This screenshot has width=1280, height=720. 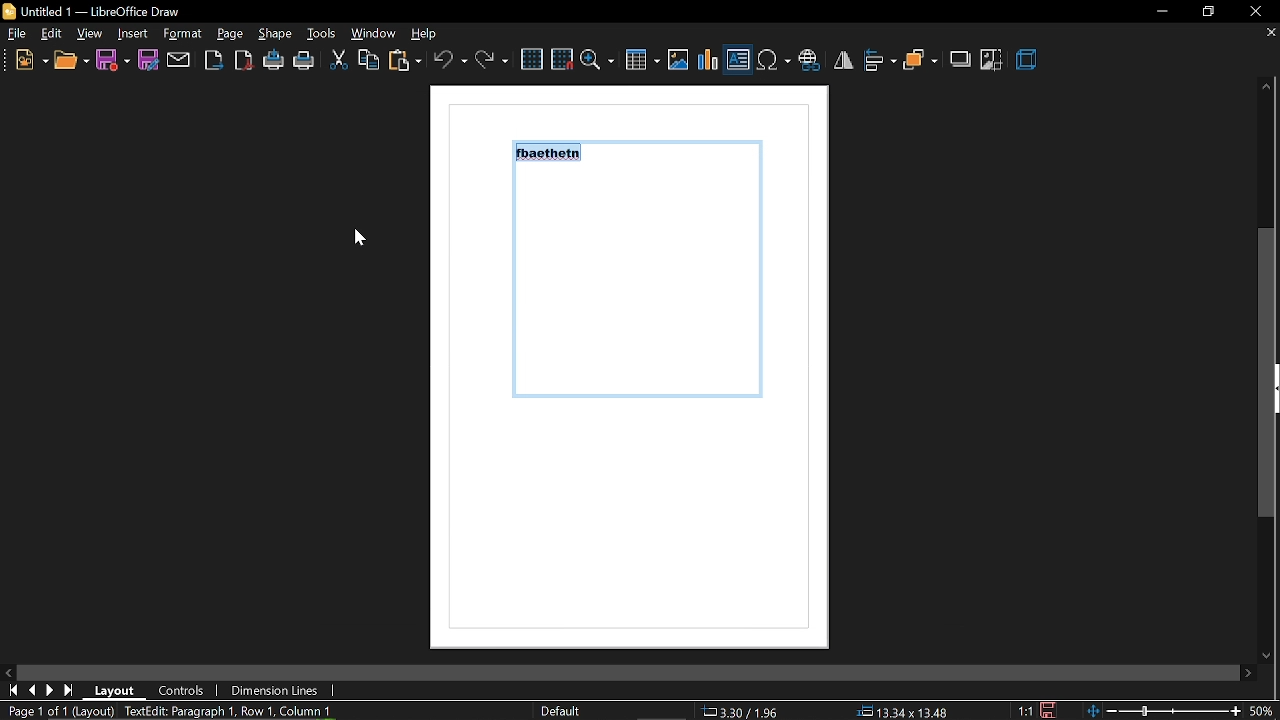 What do you see at coordinates (646, 375) in the screenshot?
I see `Current page` at bounding box center [646, 375].